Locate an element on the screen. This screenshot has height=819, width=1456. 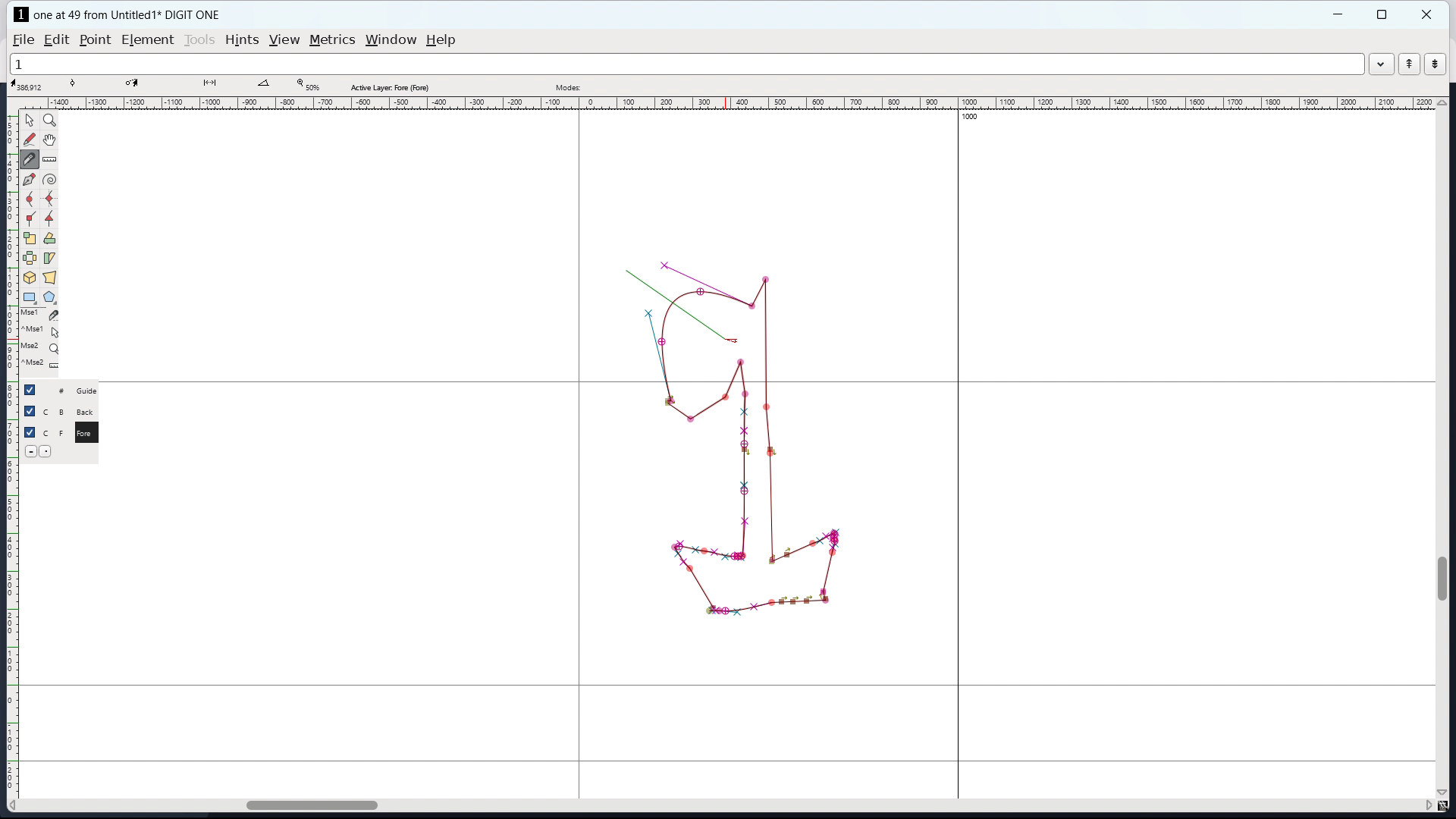
glyph is located at coordinates (749, 485).